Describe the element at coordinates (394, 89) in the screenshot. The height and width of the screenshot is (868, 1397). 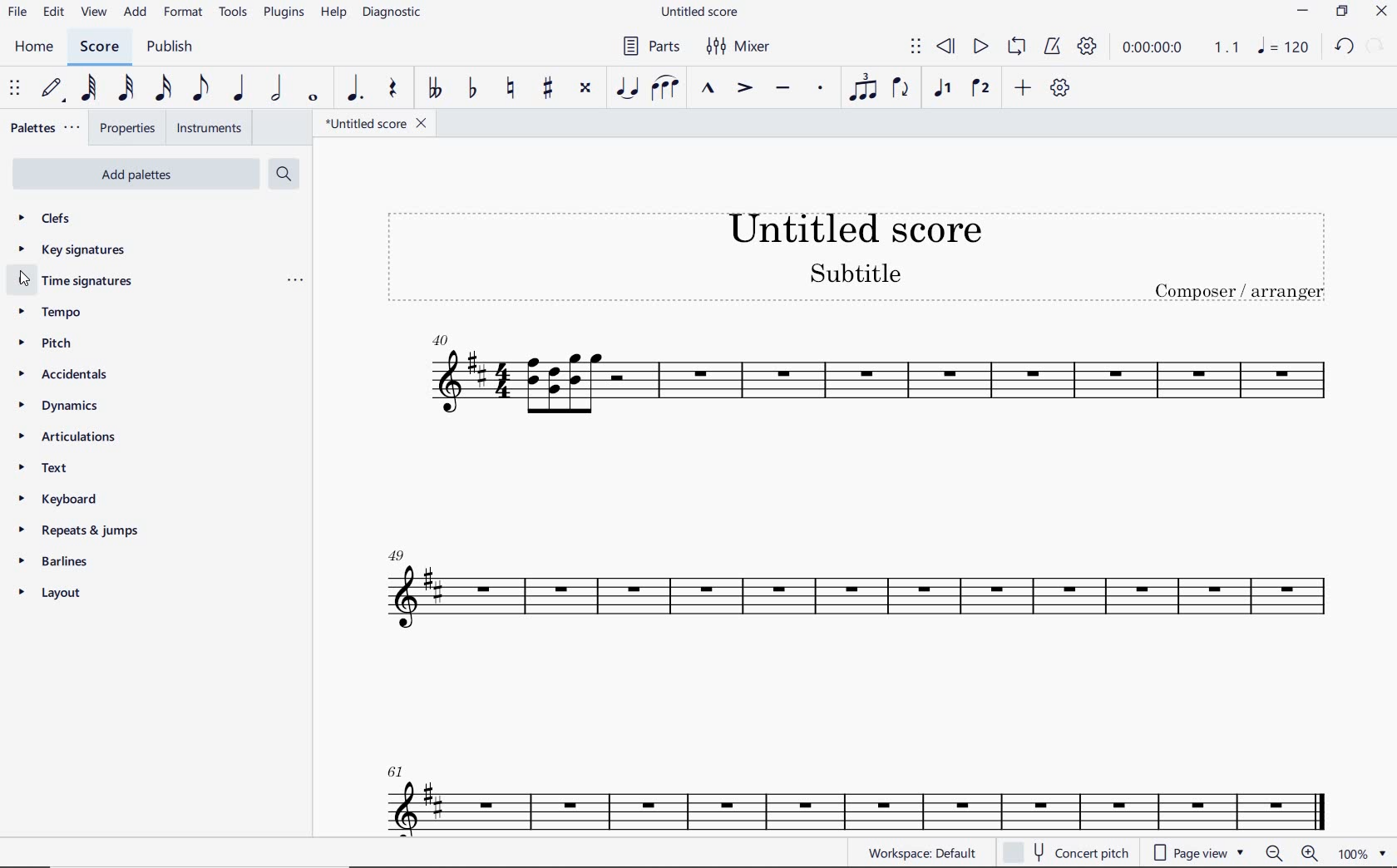
I see `REST` at that location.